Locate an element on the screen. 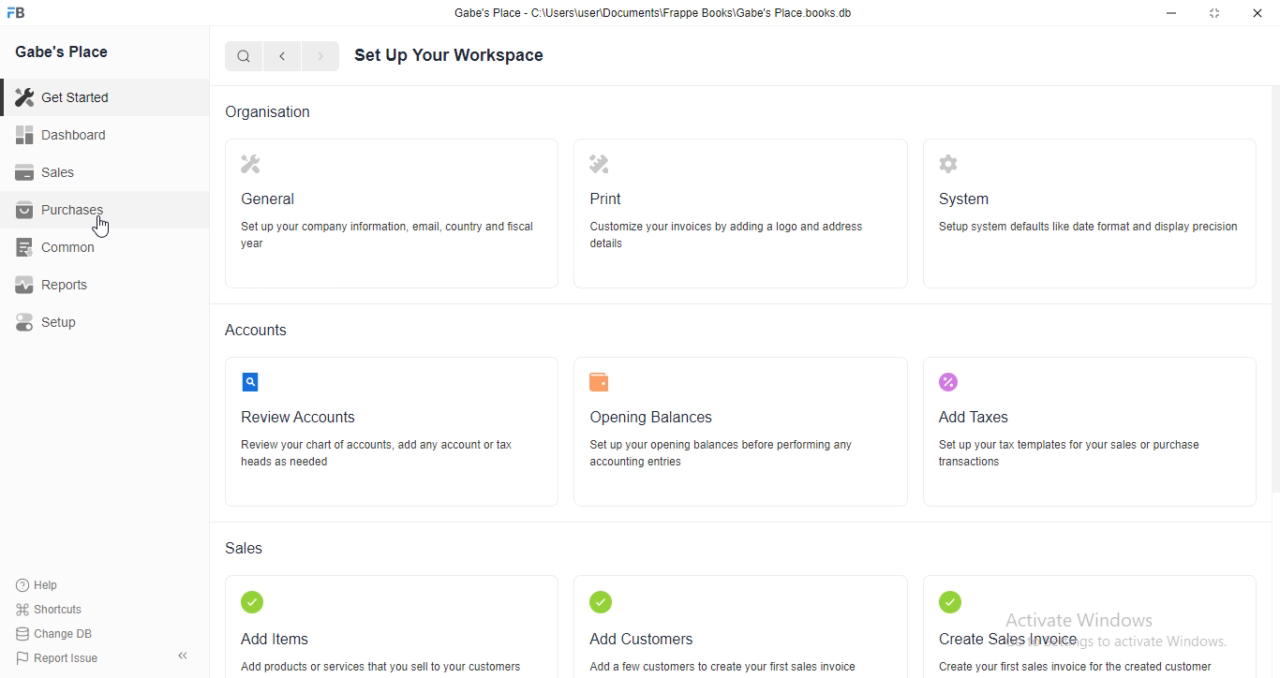  icon is located at coordinates (251, 166).